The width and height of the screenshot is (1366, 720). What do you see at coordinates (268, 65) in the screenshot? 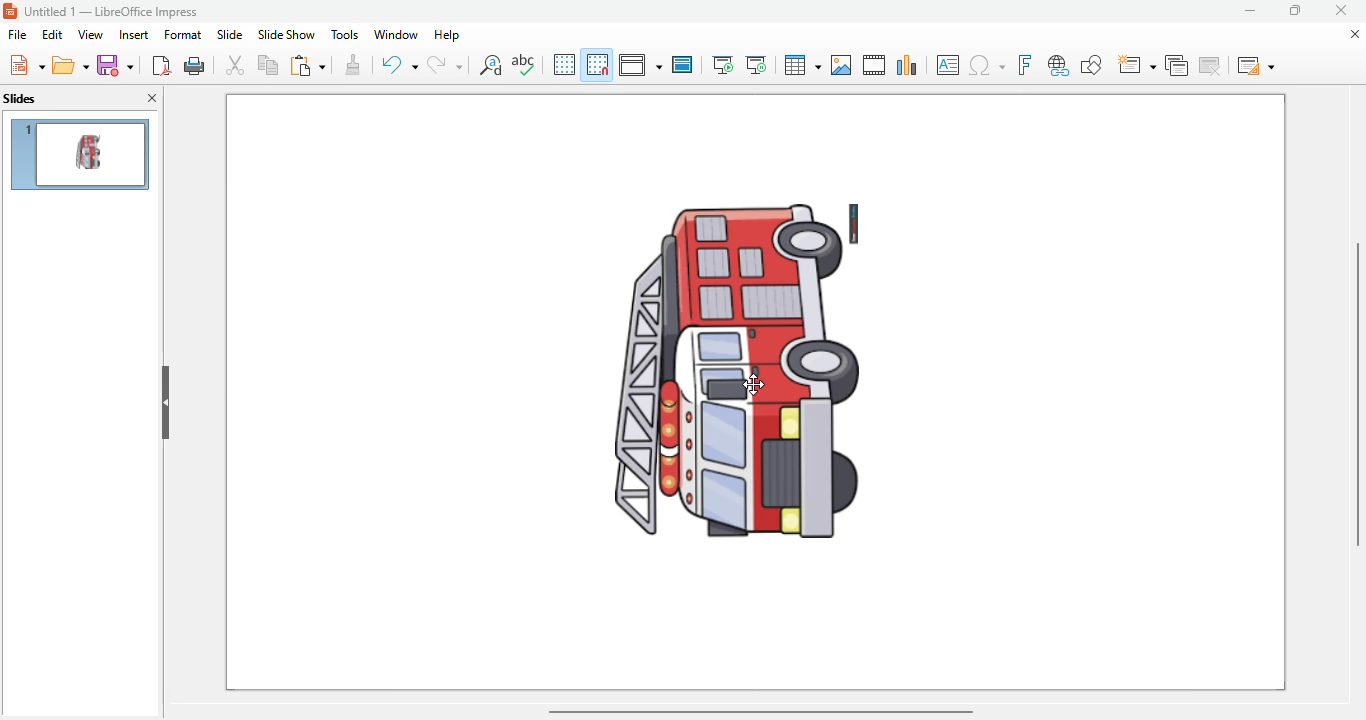
I see `copy` at bounding box center [268, 65].